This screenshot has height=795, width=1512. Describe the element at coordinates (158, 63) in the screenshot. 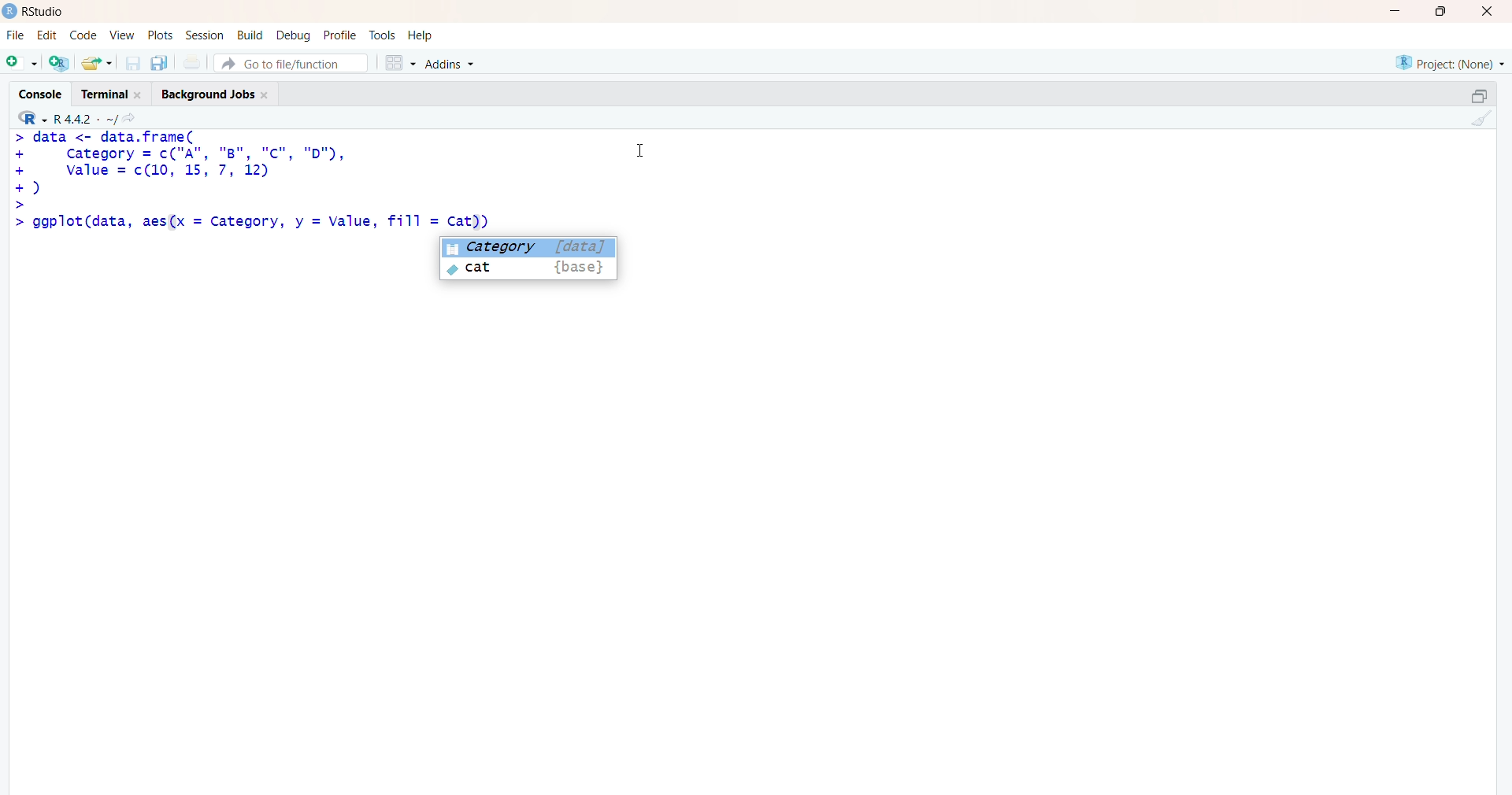

I see `save all open documents` at that location.